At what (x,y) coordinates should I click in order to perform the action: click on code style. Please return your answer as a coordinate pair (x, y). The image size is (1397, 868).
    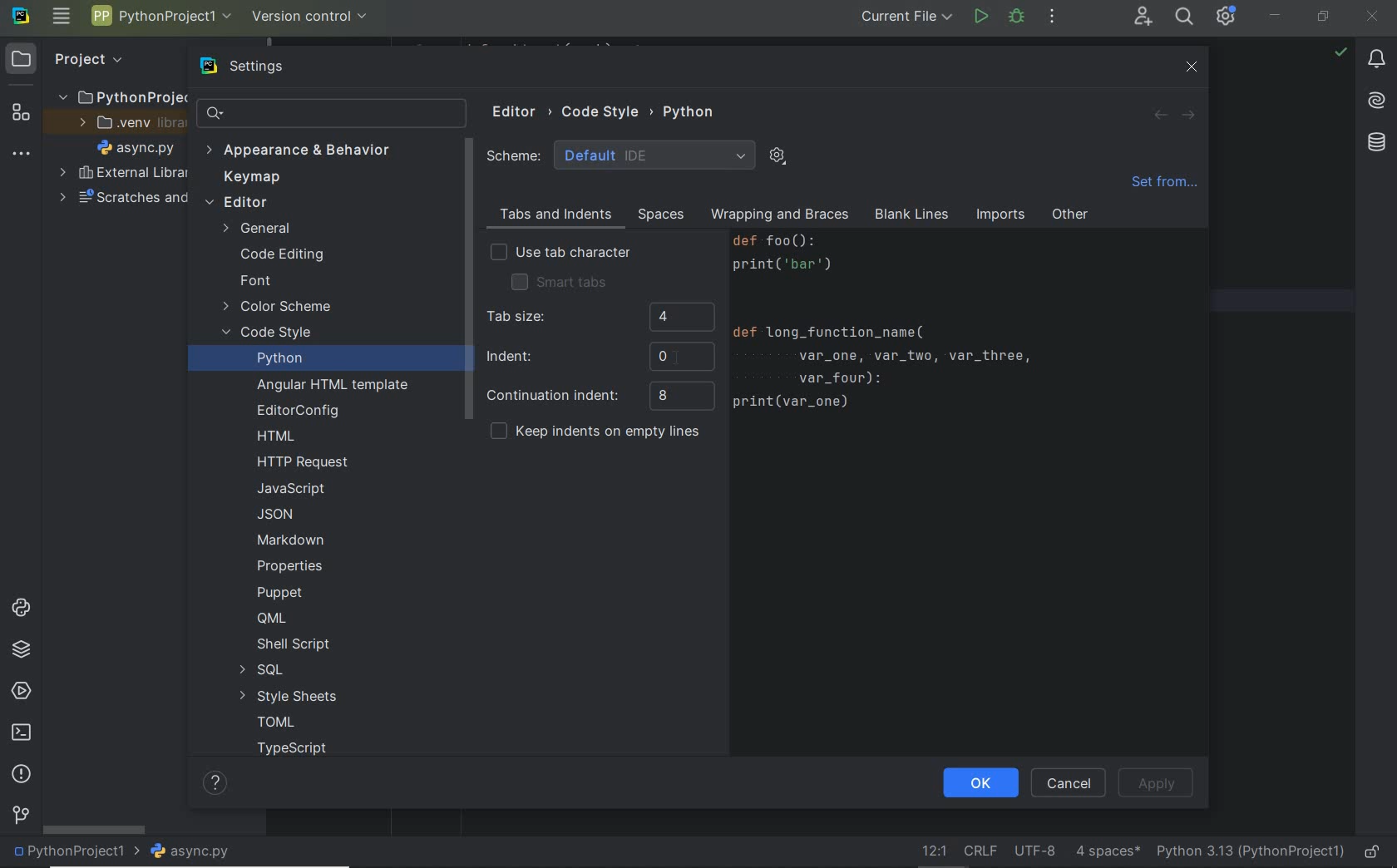
    Looking at the image, I should click on (269, 334).